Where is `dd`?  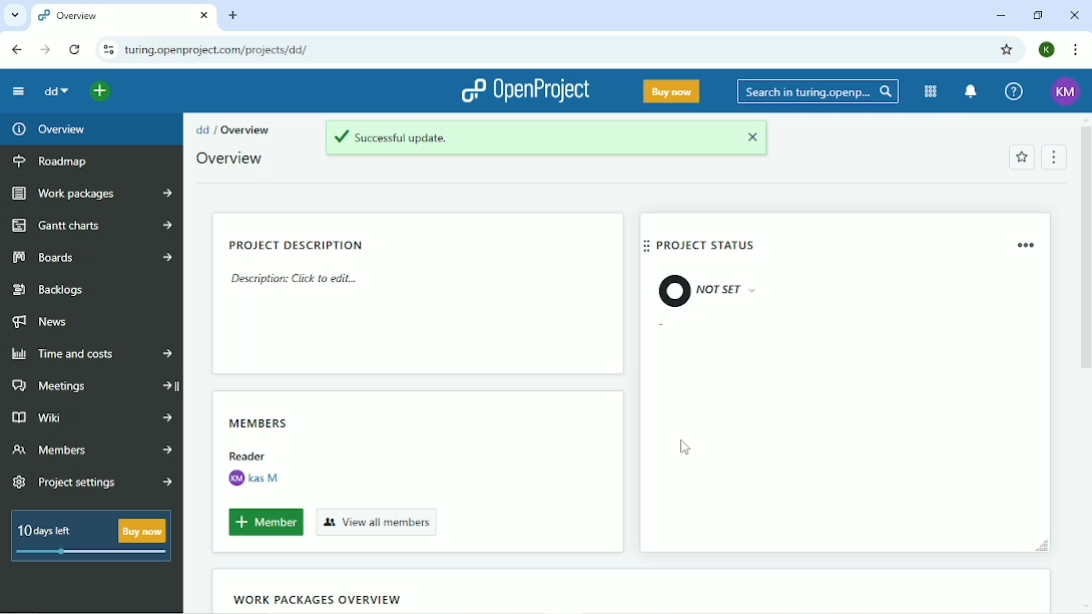 dd is located at coordinates (203, 129).